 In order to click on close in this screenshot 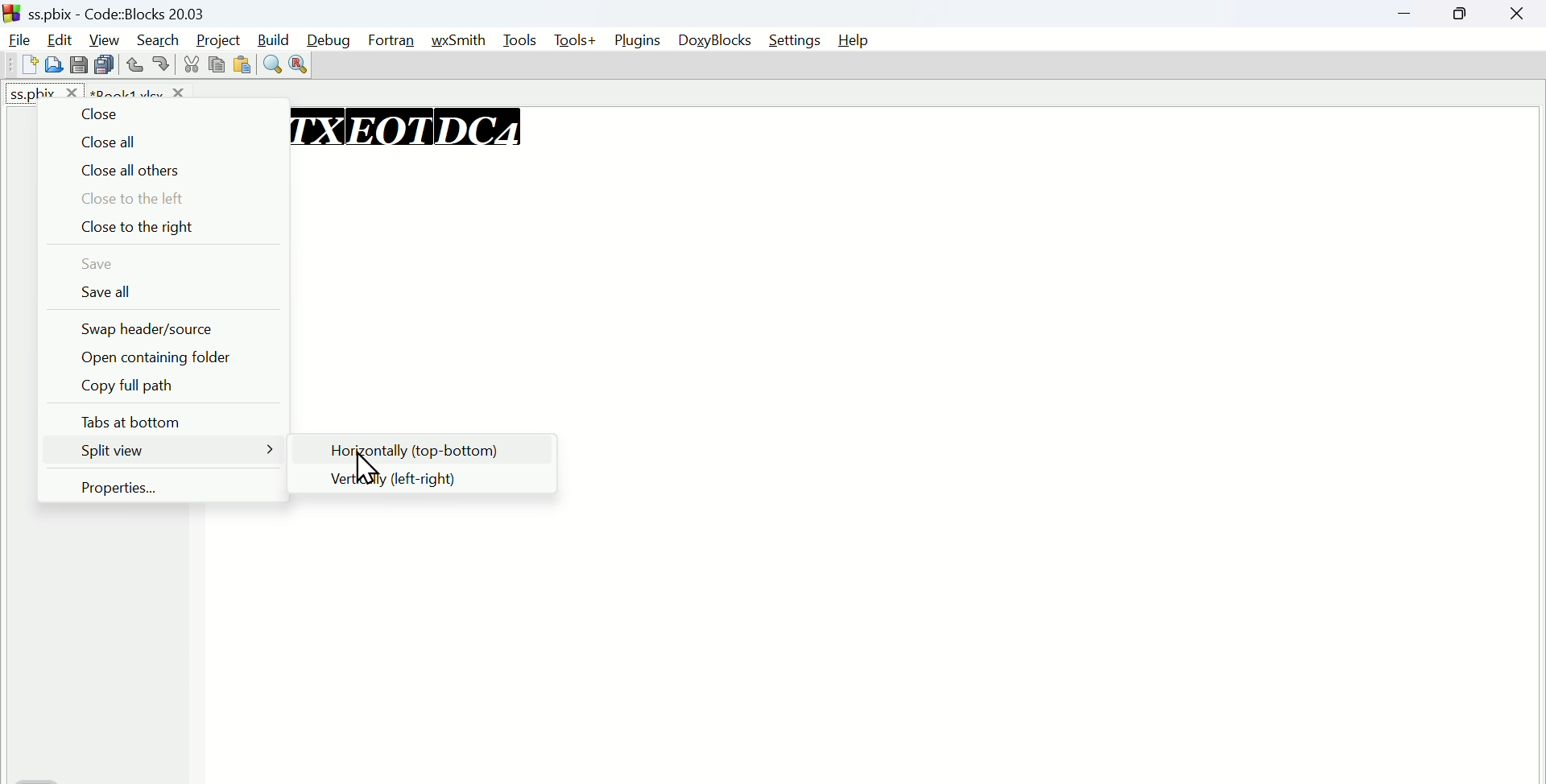, I will do `click(1518, 14)`.